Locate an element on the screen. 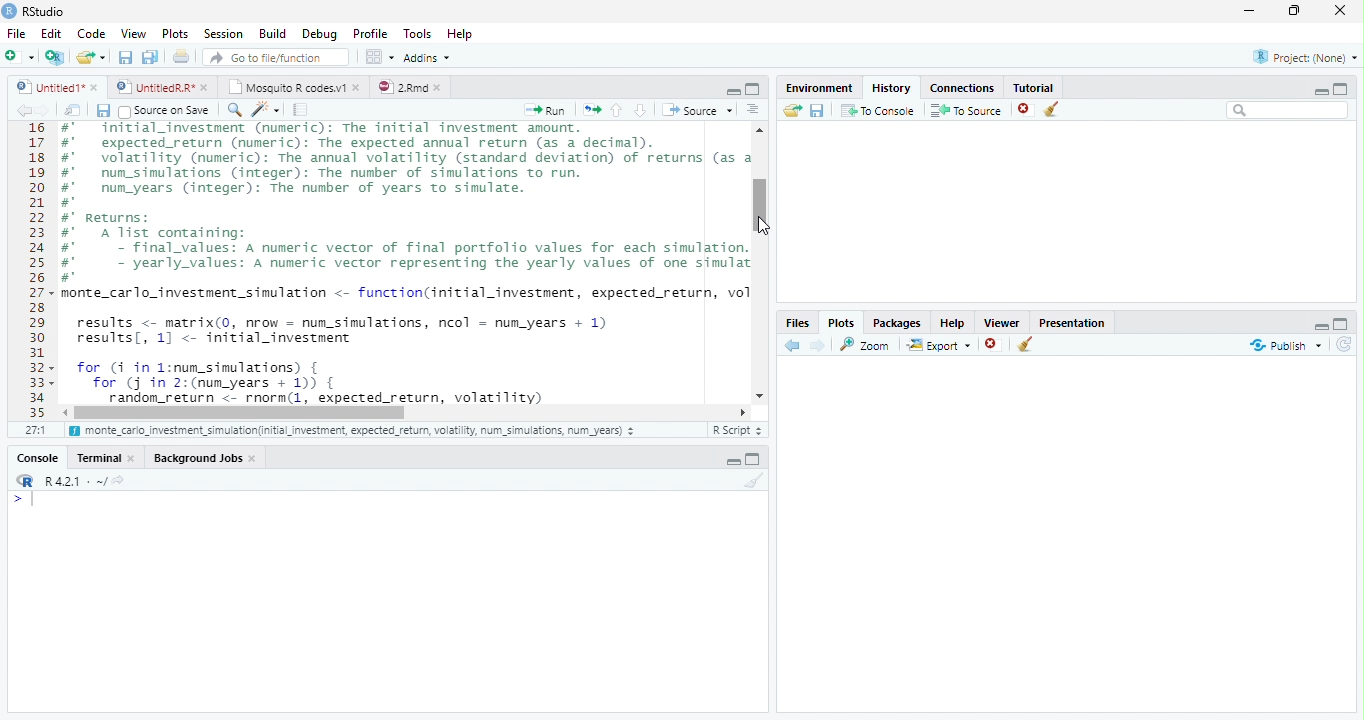  Open in new window is located at coordinates (73, 110).